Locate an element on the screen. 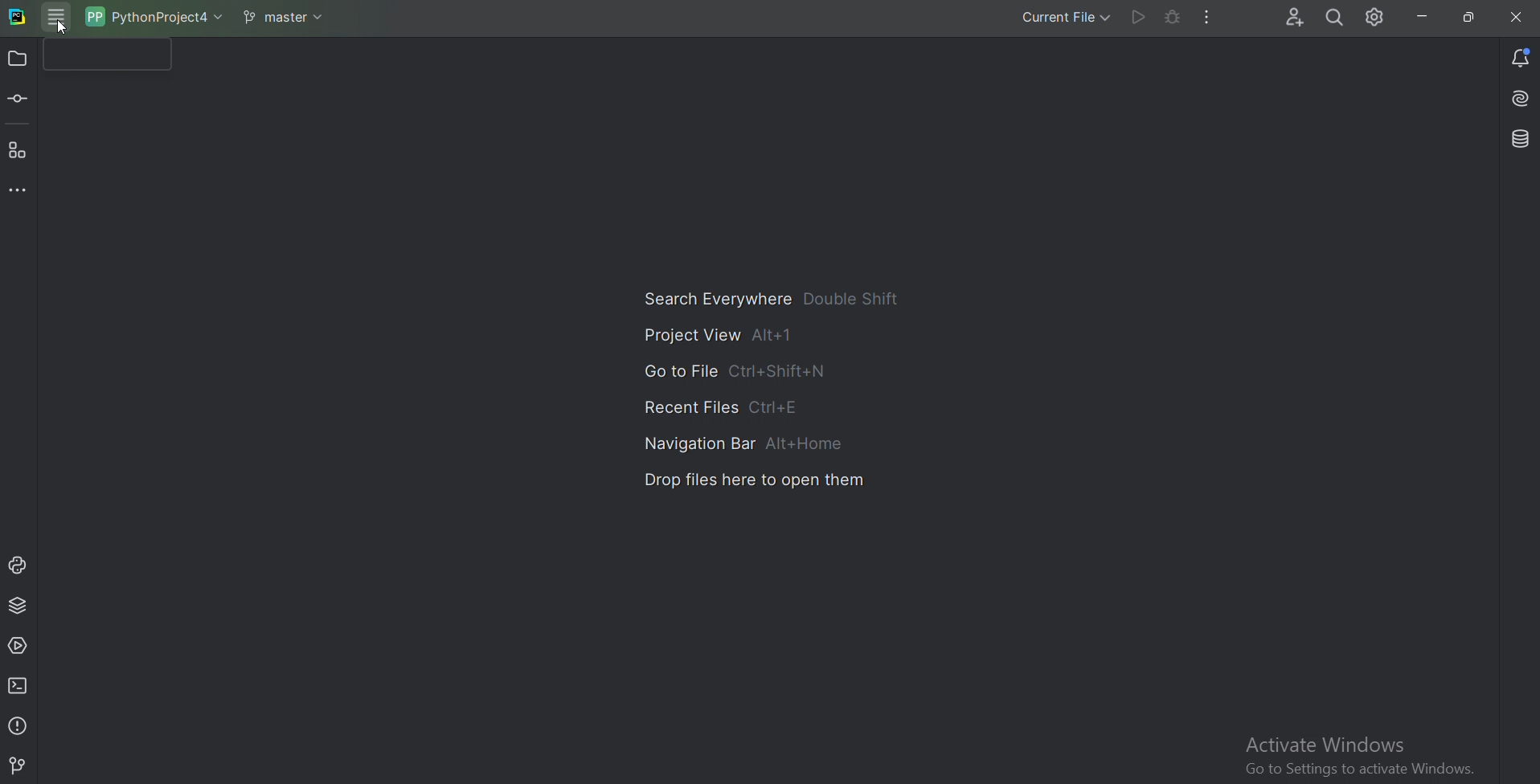 The width and height of the screenshot is (1540, 784). Search Everywhere is located at coordinates (1334, 17).